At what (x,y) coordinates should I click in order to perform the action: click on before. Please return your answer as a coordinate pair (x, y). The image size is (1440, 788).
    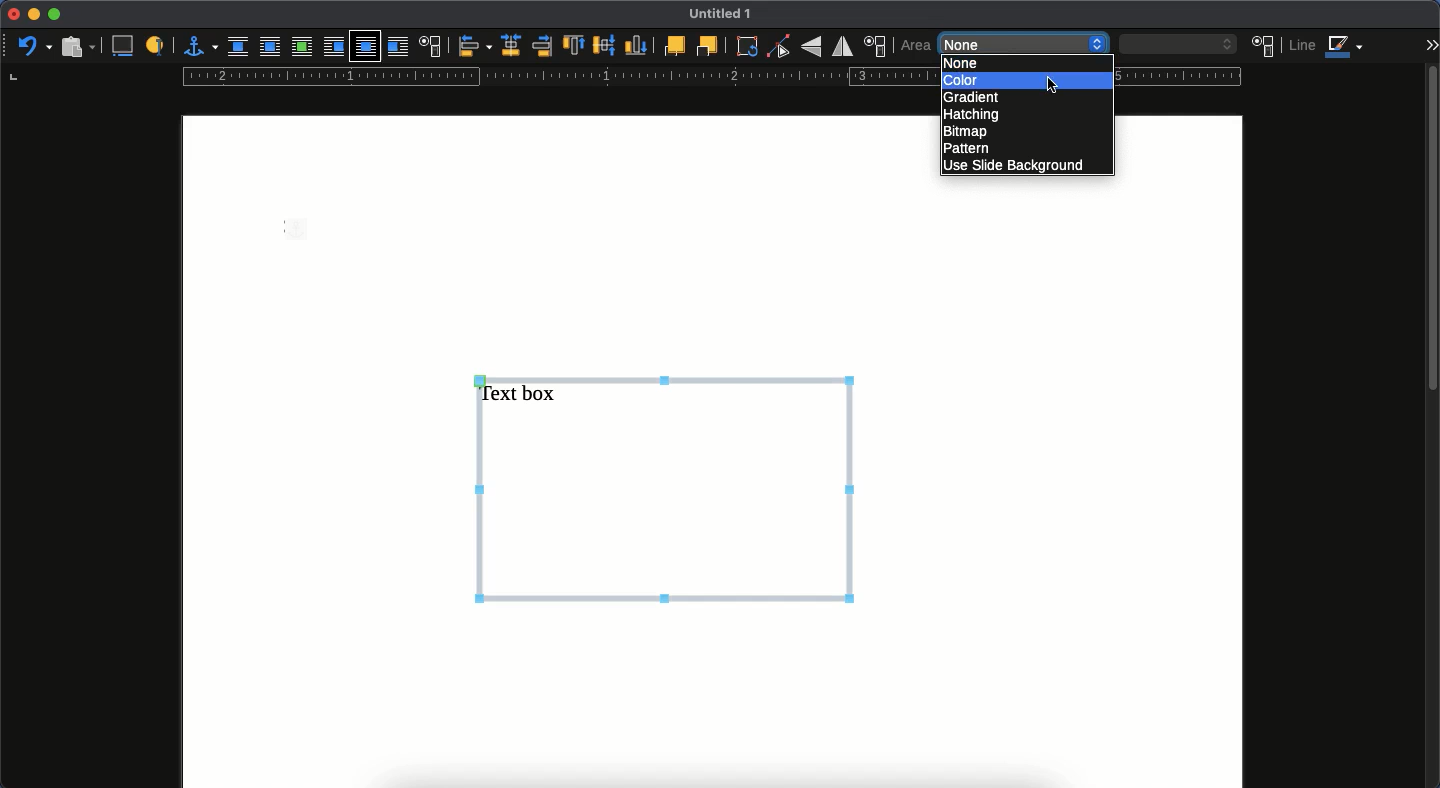
    Looking at the image, I should click on (332, 48).